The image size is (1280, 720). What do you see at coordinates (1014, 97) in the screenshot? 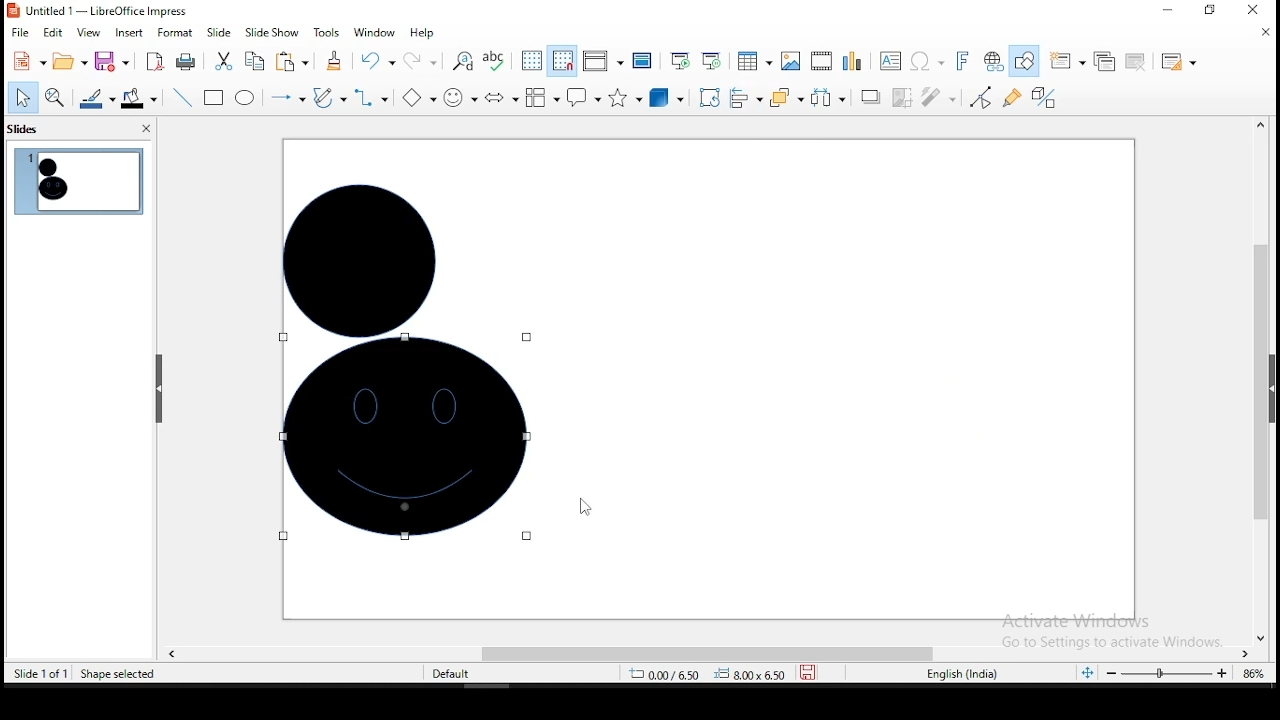
I see `show gluepoint draw functions` at bounding box center [1014, 97].